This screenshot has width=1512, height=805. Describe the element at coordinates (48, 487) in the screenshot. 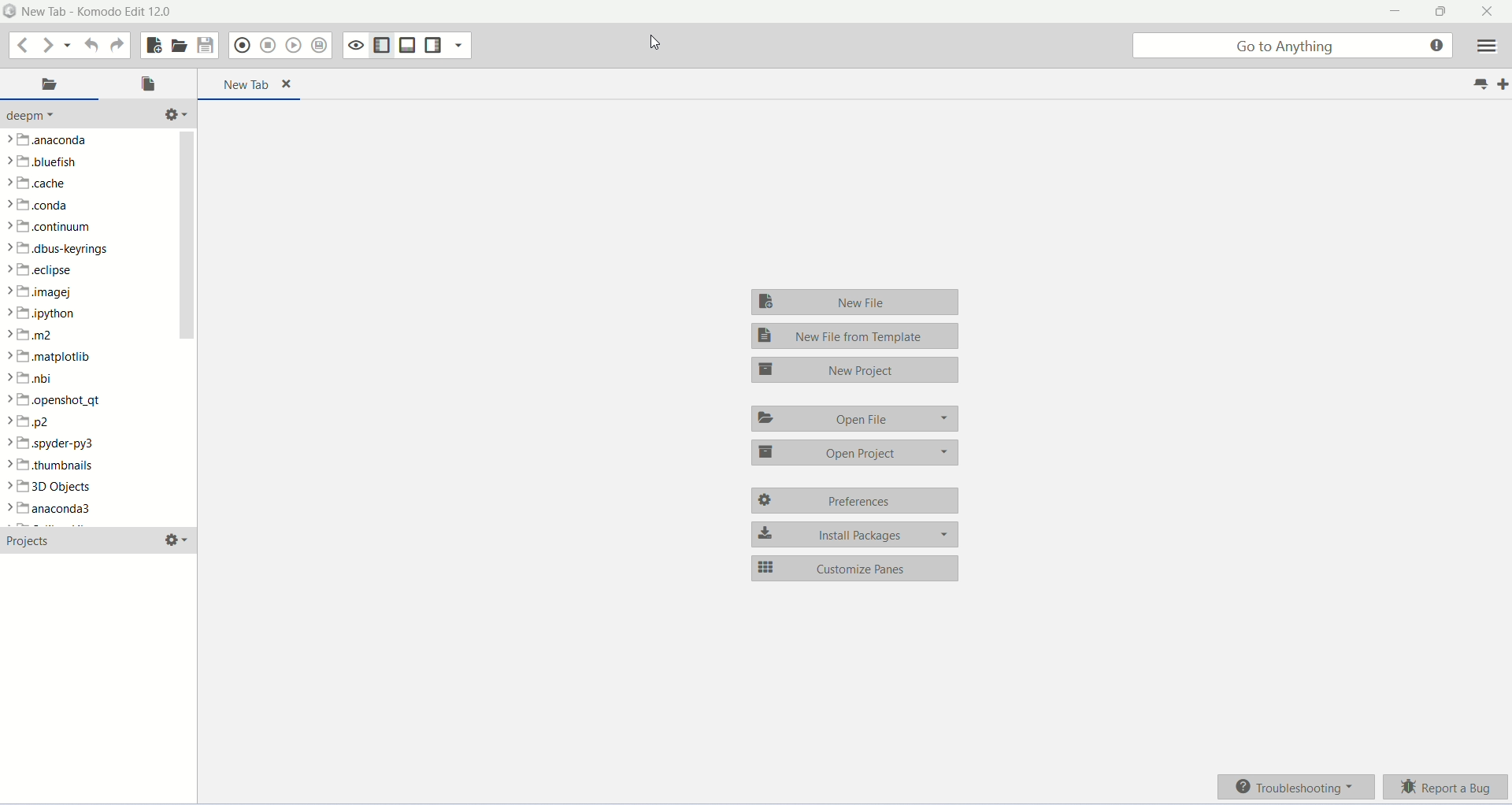

I see `3D object` at that location.